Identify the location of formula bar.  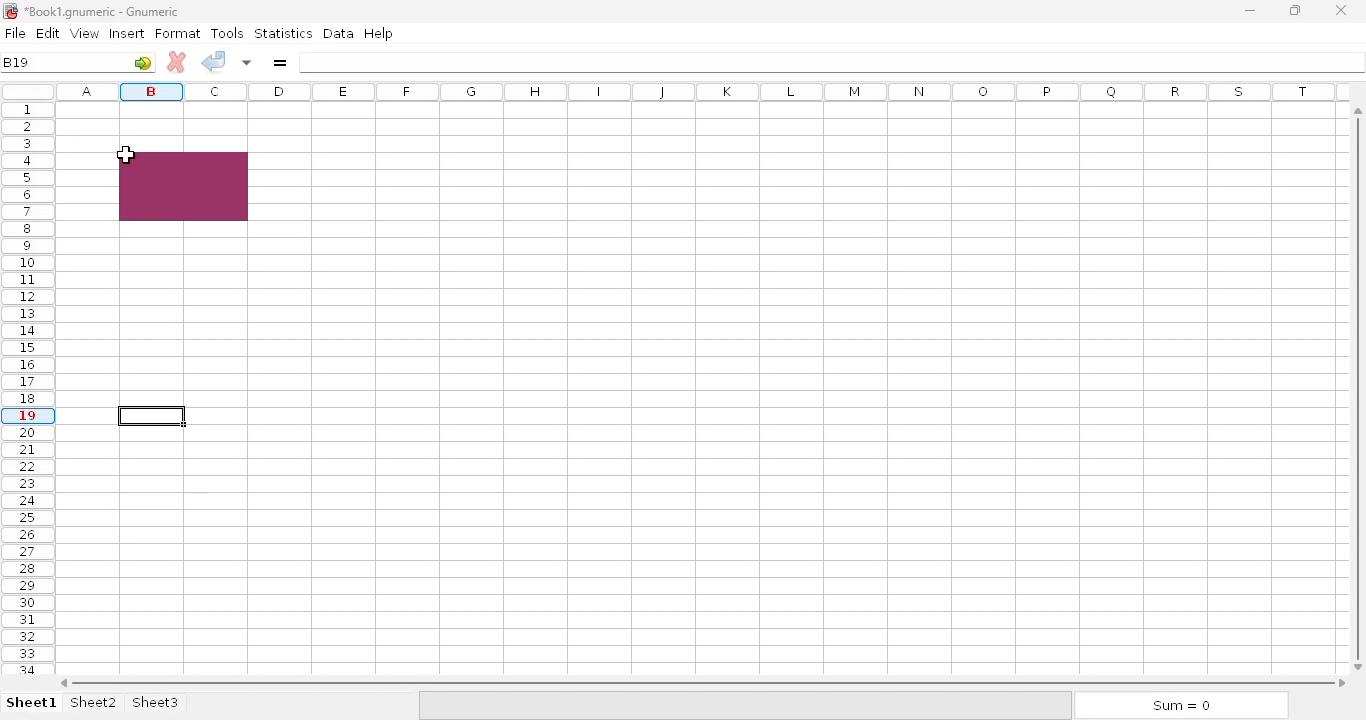
(832, 61).